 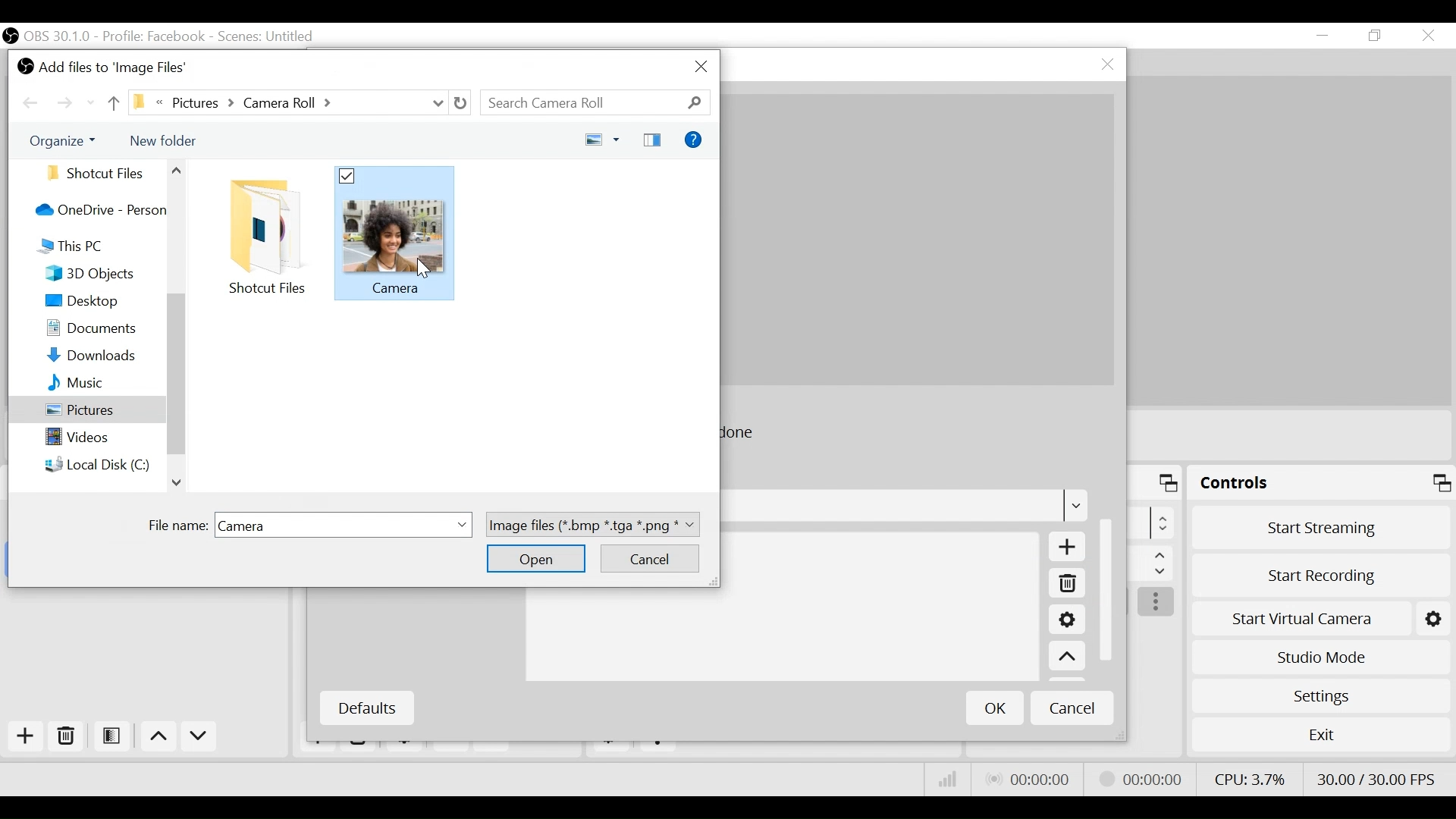 I want to click on Start Streaming, so click(x=1322, y=527).